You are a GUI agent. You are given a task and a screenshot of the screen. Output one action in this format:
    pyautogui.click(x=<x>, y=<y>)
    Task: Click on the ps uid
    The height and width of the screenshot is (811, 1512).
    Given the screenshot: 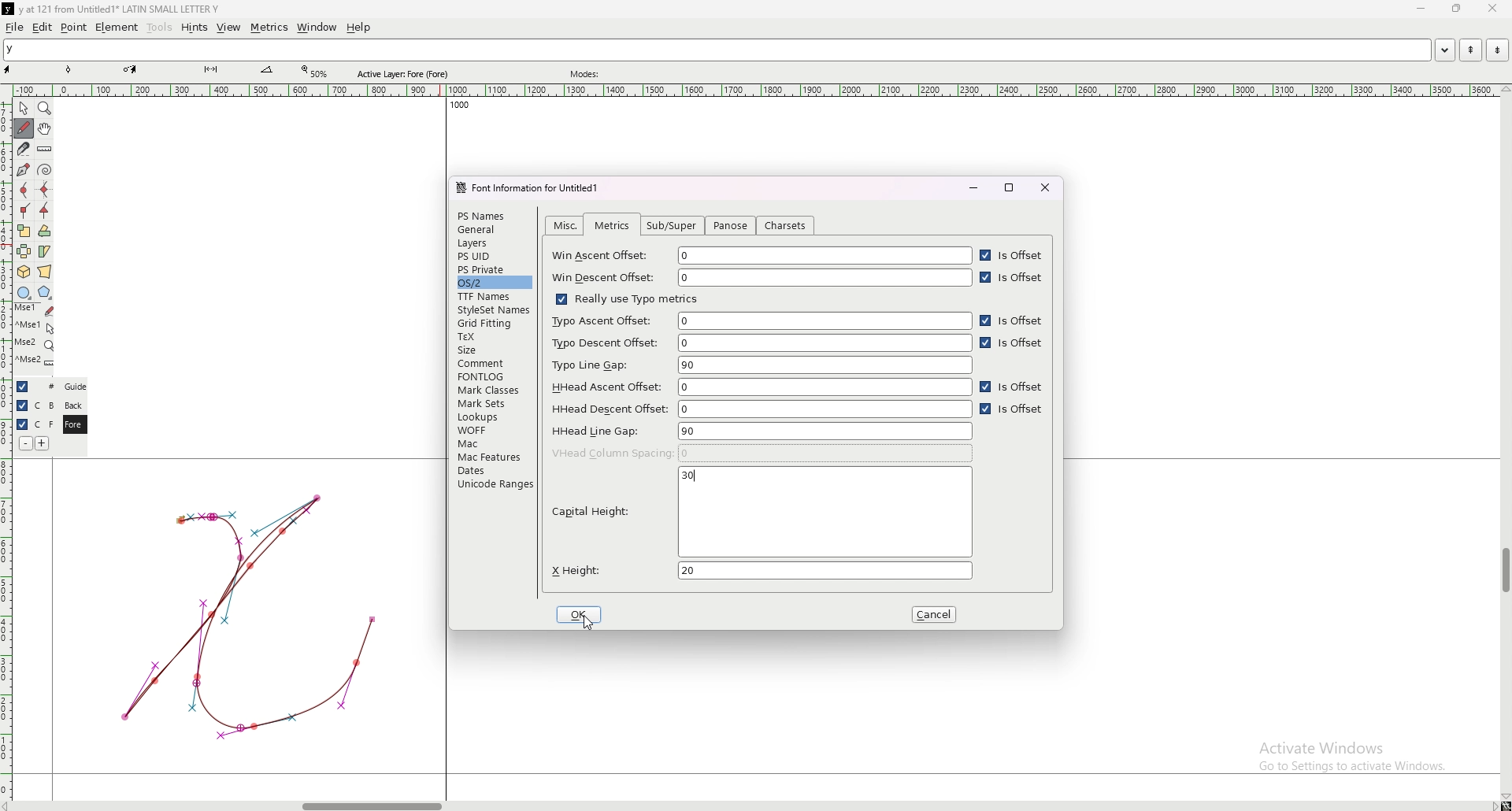 What is the action you would take?
    pyautogui.click(x=494, y=257)
    